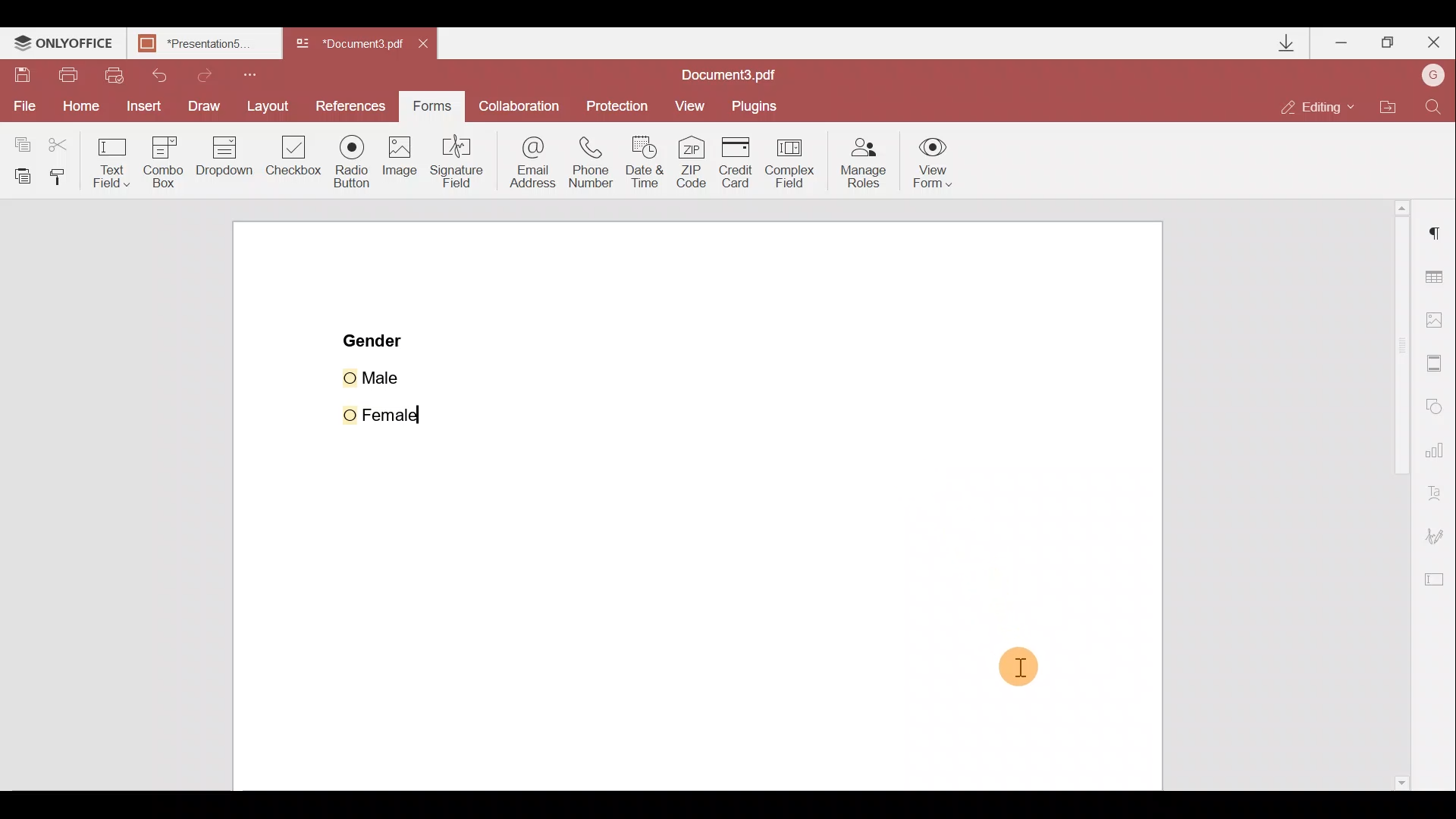 This screenshot has width=1456, height=819. What do you see at coordinates (1395, 105) in the screenshot?
I see `Open file location` at bounding box center [1395, 105].